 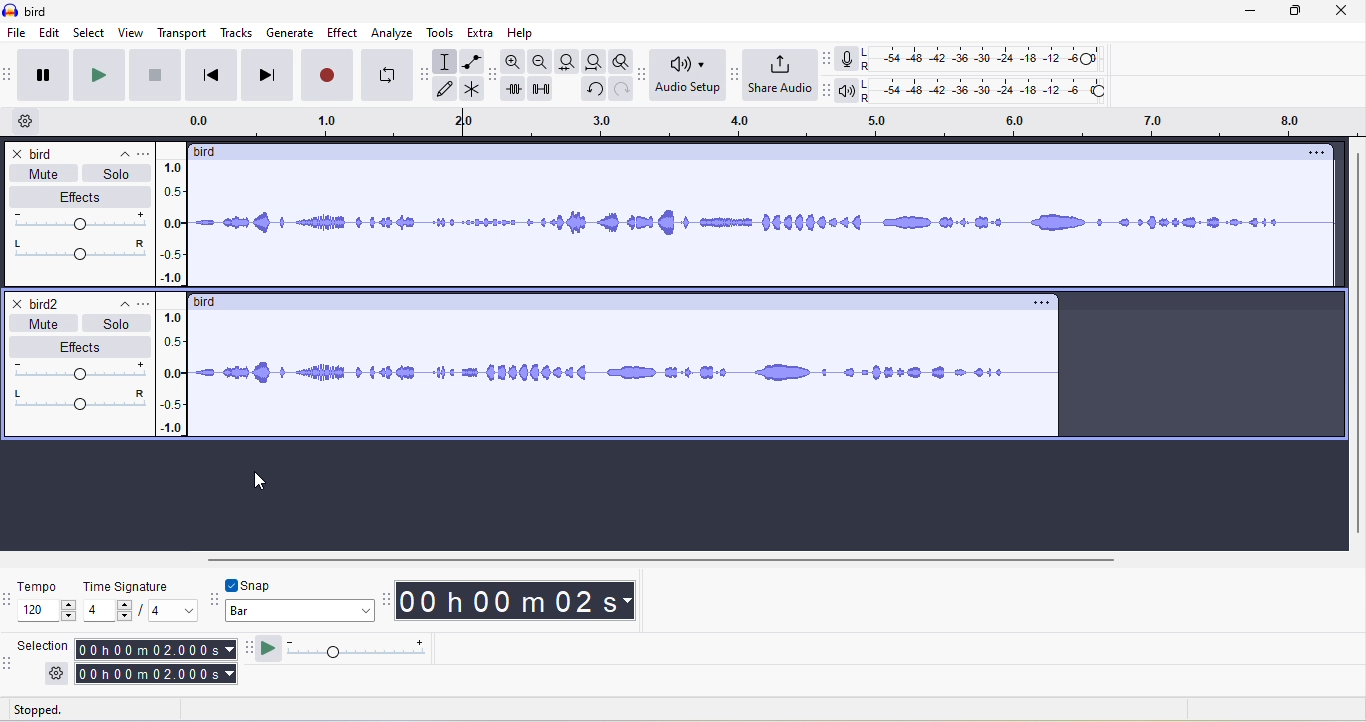 I want to click on amplitude, so click(x=170, y=224).